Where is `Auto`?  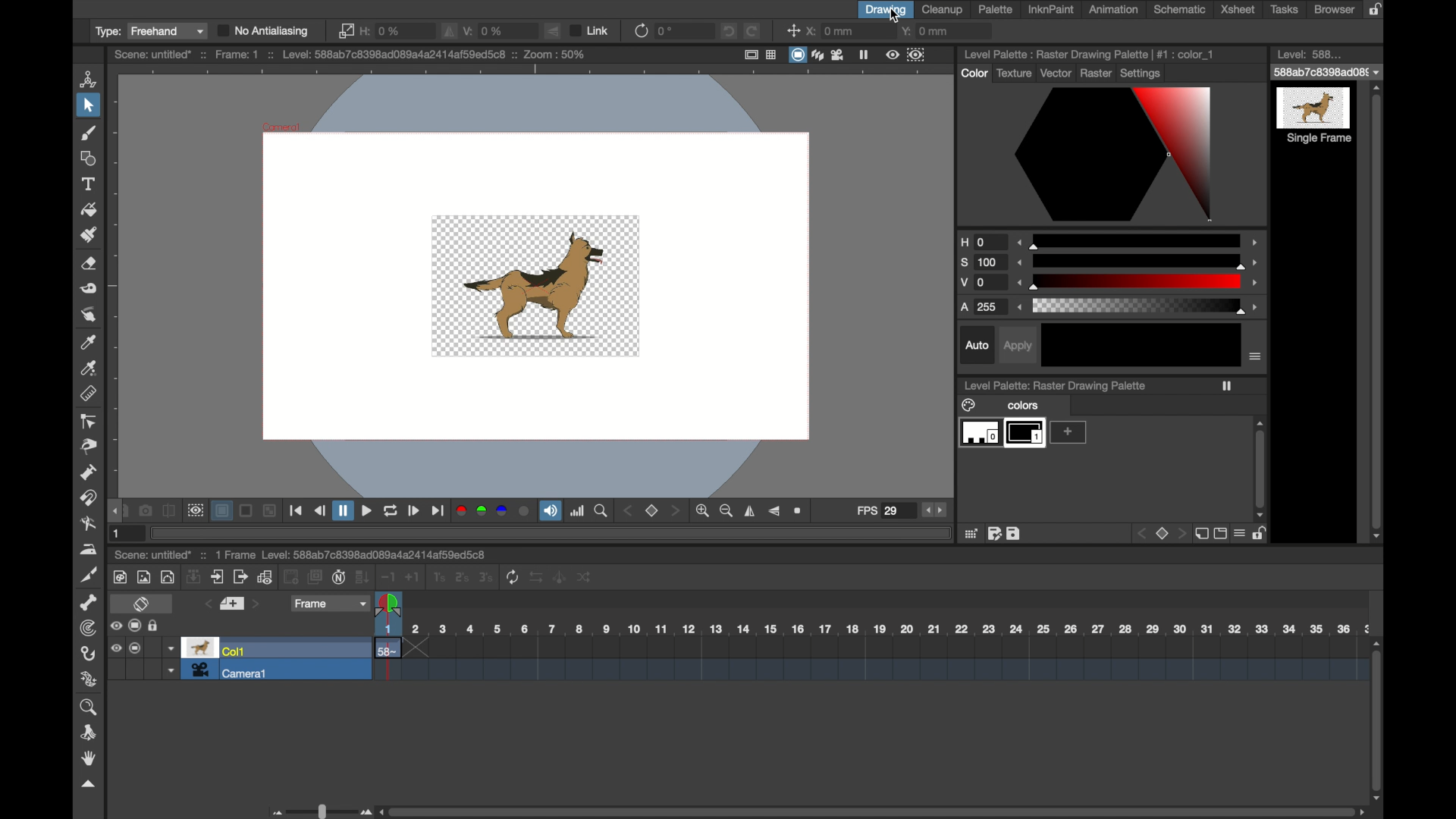 Auto is located at coordinates (973, 347).